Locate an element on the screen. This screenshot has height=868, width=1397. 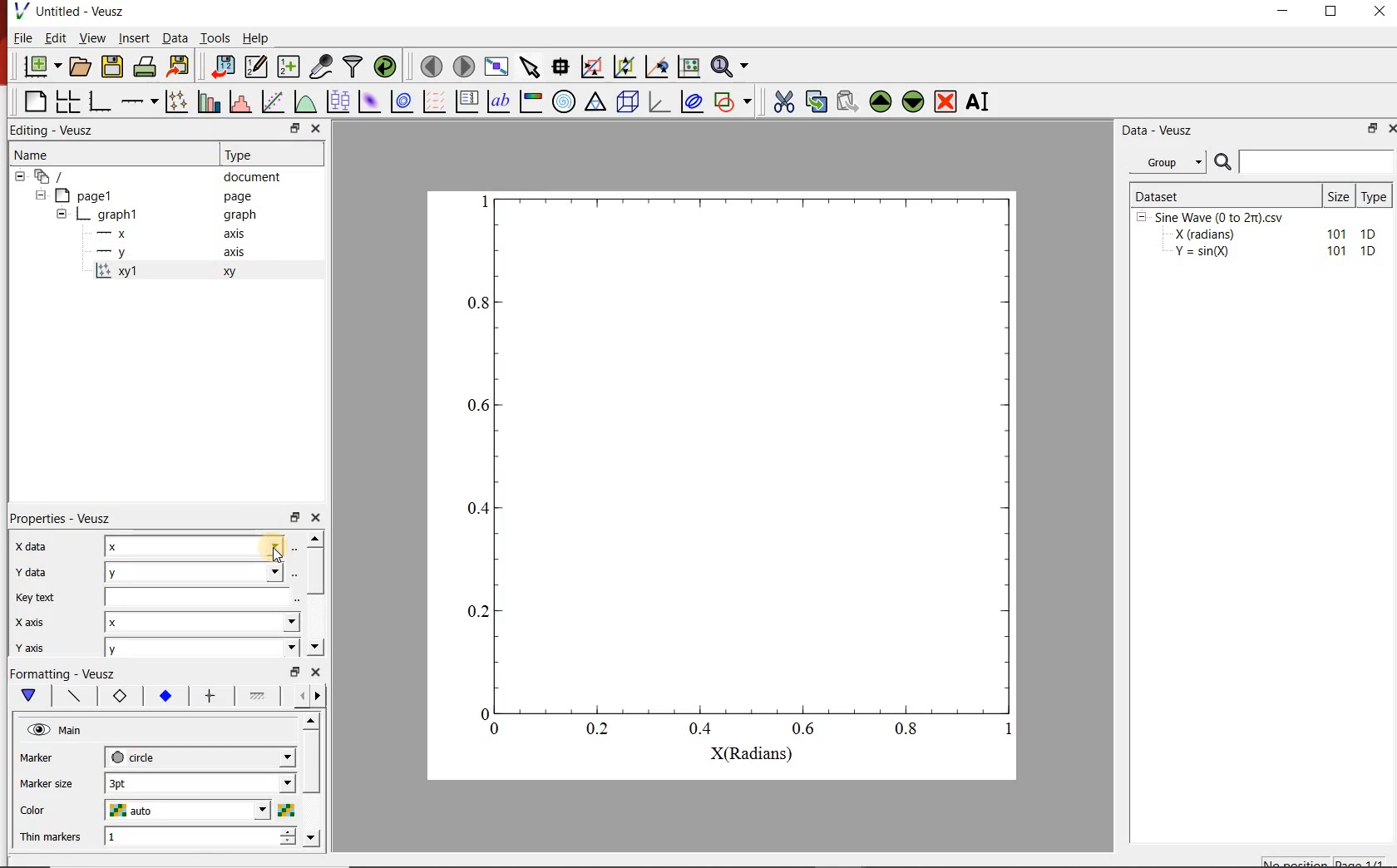
Untitled - Veusz is located at coordinates (81, 11).